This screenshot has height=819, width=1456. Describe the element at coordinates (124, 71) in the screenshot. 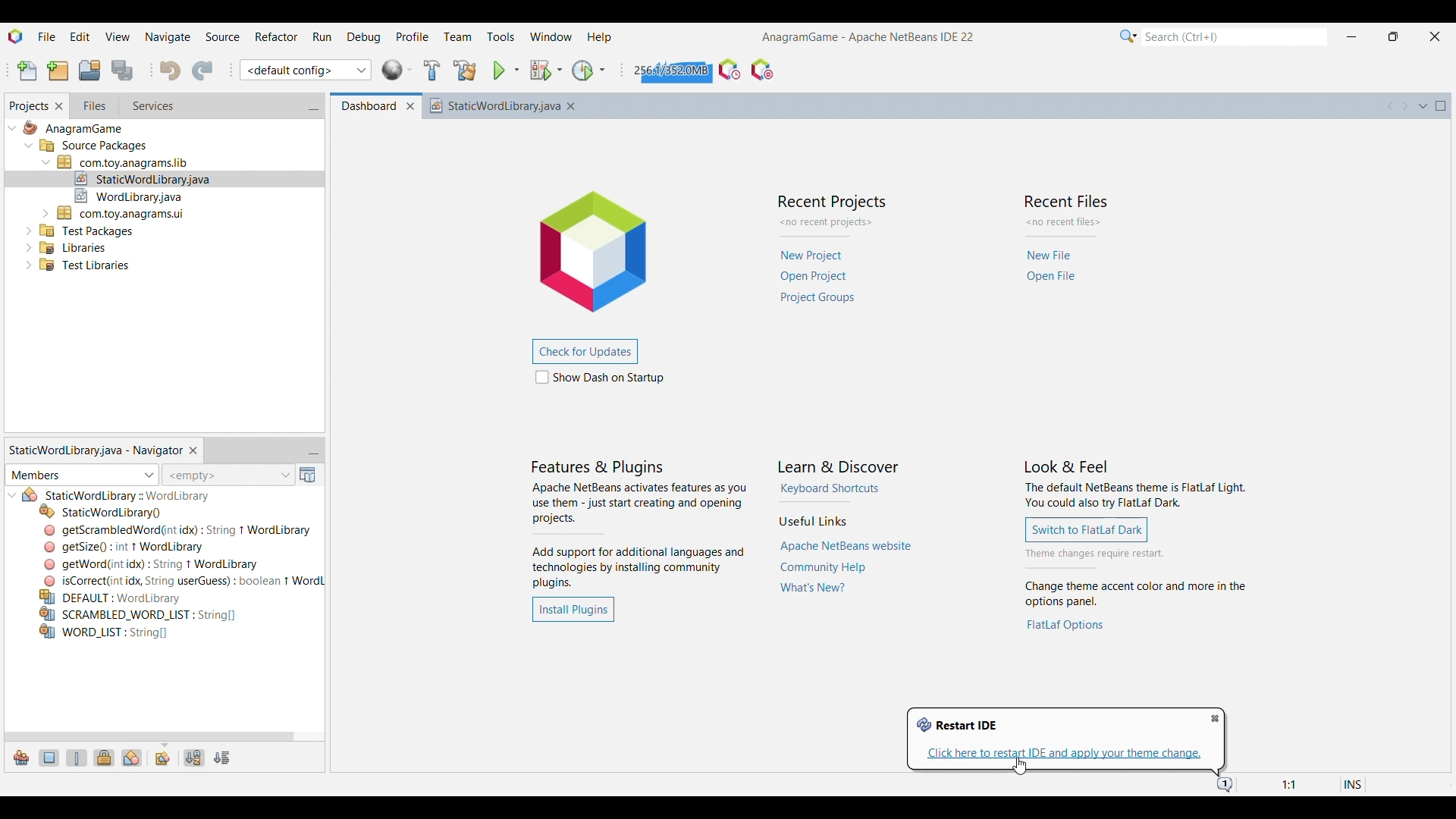

I see `Save all` at that location.